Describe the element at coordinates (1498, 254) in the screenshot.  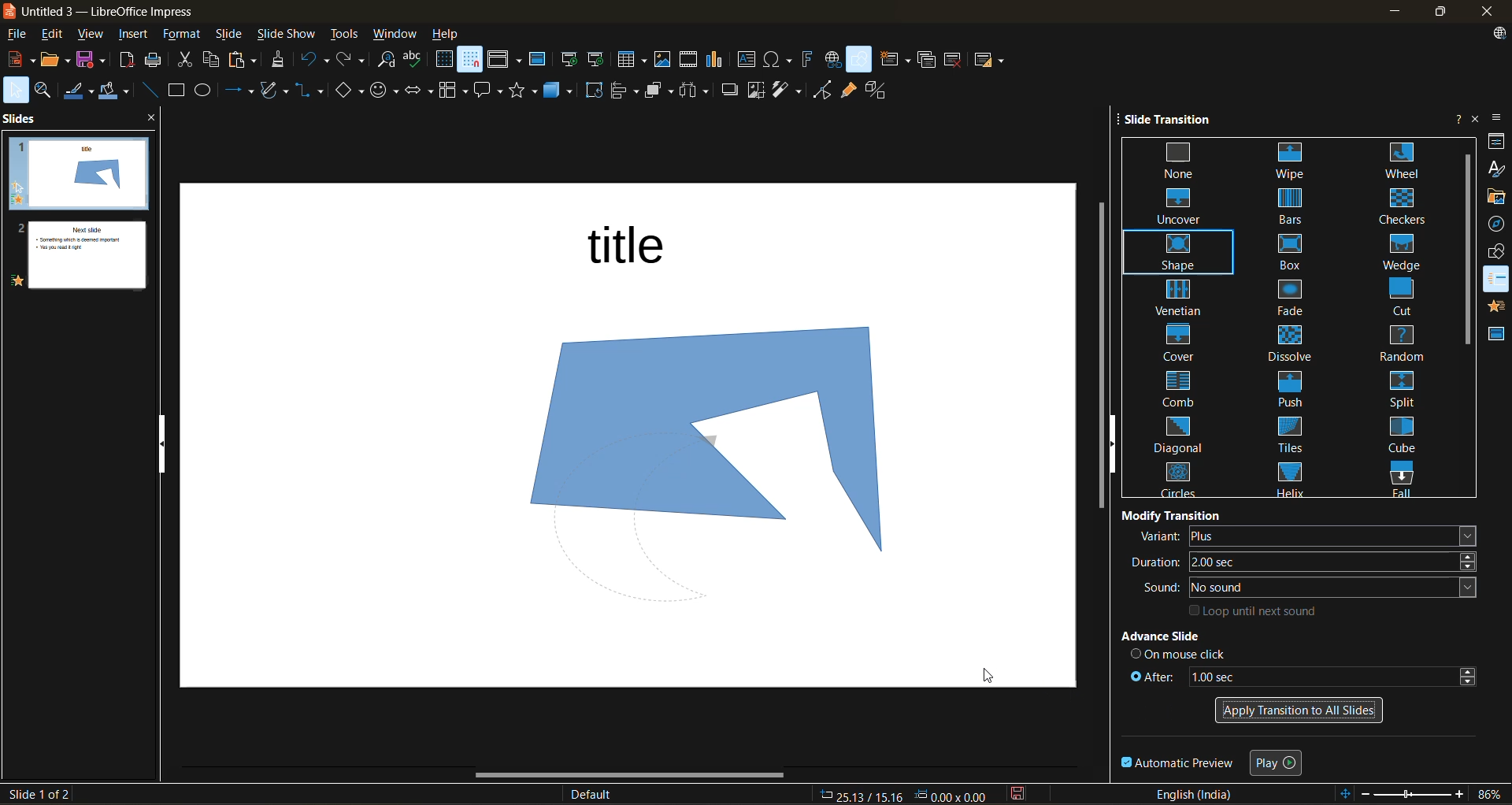
I see `shapes` at that location.